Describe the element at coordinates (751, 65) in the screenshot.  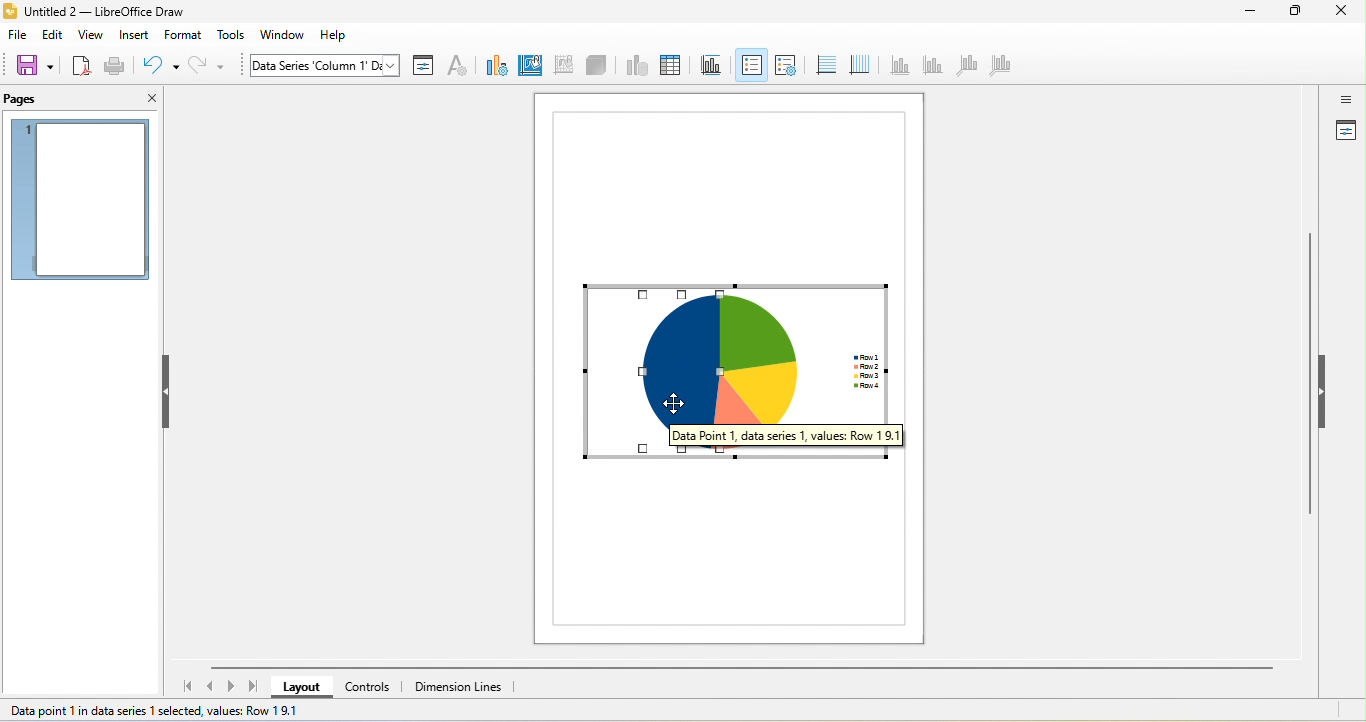
I see `legend on/ off` at that location.